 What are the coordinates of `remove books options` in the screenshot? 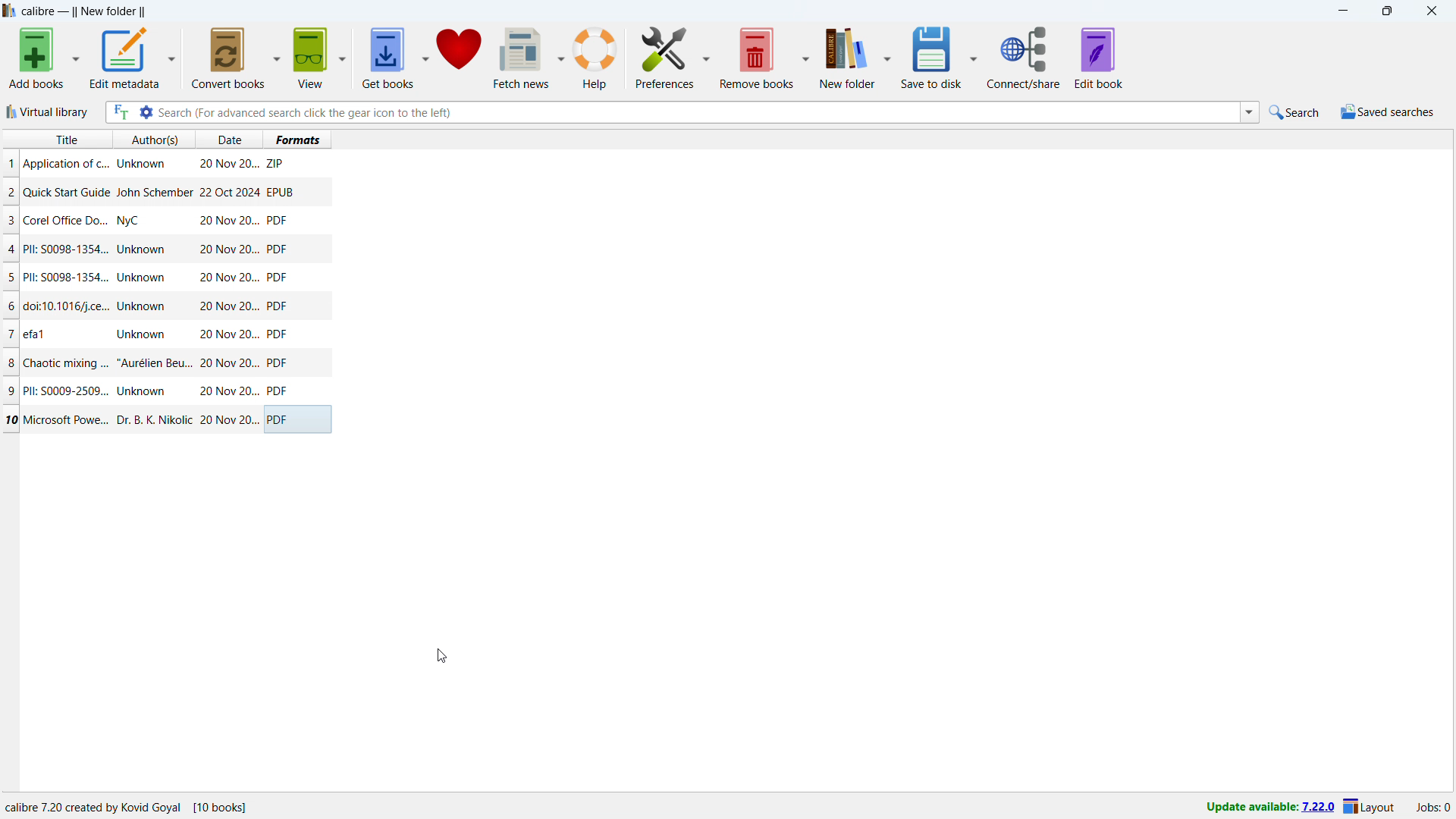 It's located at (808, 57).